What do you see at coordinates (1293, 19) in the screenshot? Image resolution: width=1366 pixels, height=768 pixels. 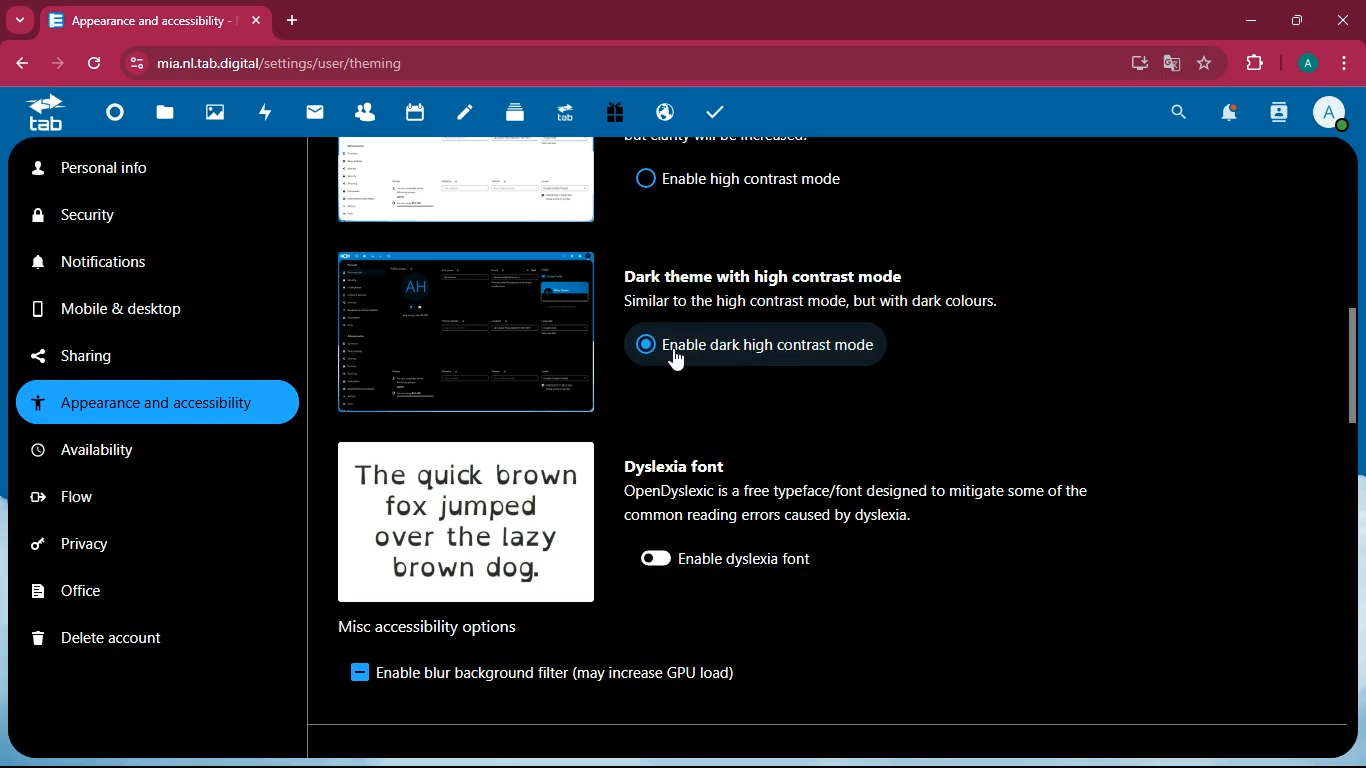 I see `maximize` at bounding box center [1293, 19].